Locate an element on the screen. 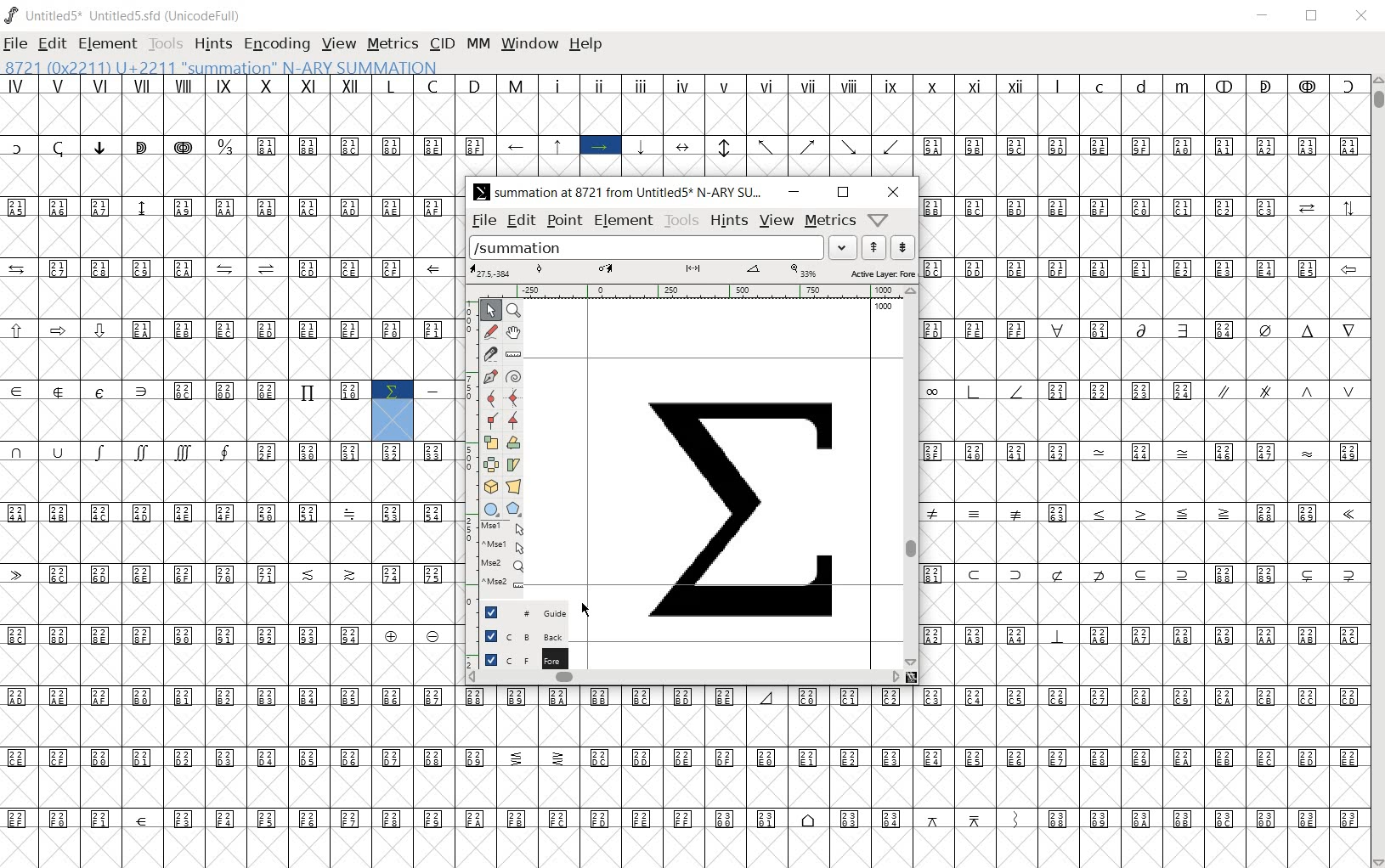  Rotate the selection is located at coordinates (513, 465).